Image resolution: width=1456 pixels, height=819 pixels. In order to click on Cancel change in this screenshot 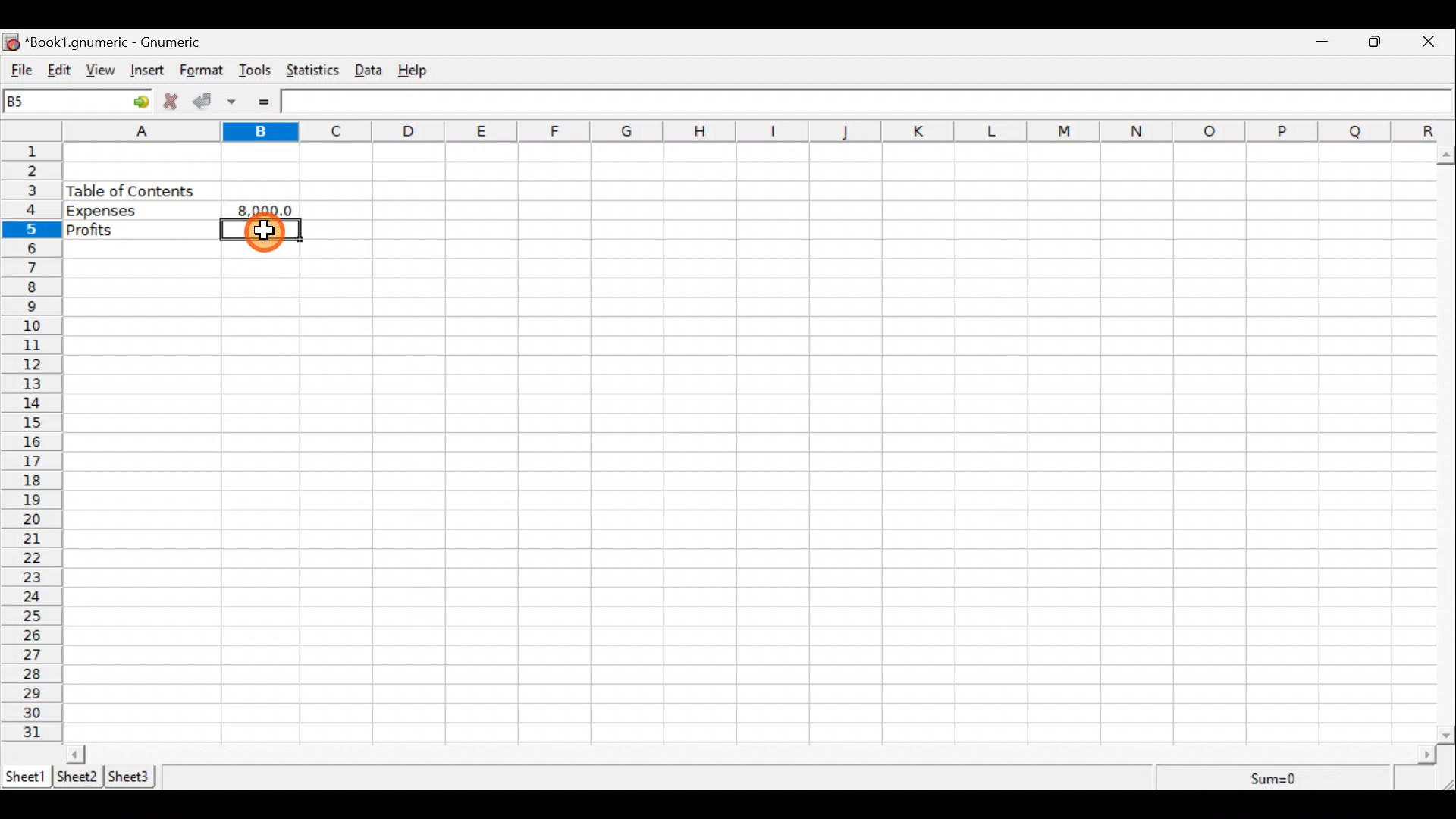, I will do `click(174, 103)`.